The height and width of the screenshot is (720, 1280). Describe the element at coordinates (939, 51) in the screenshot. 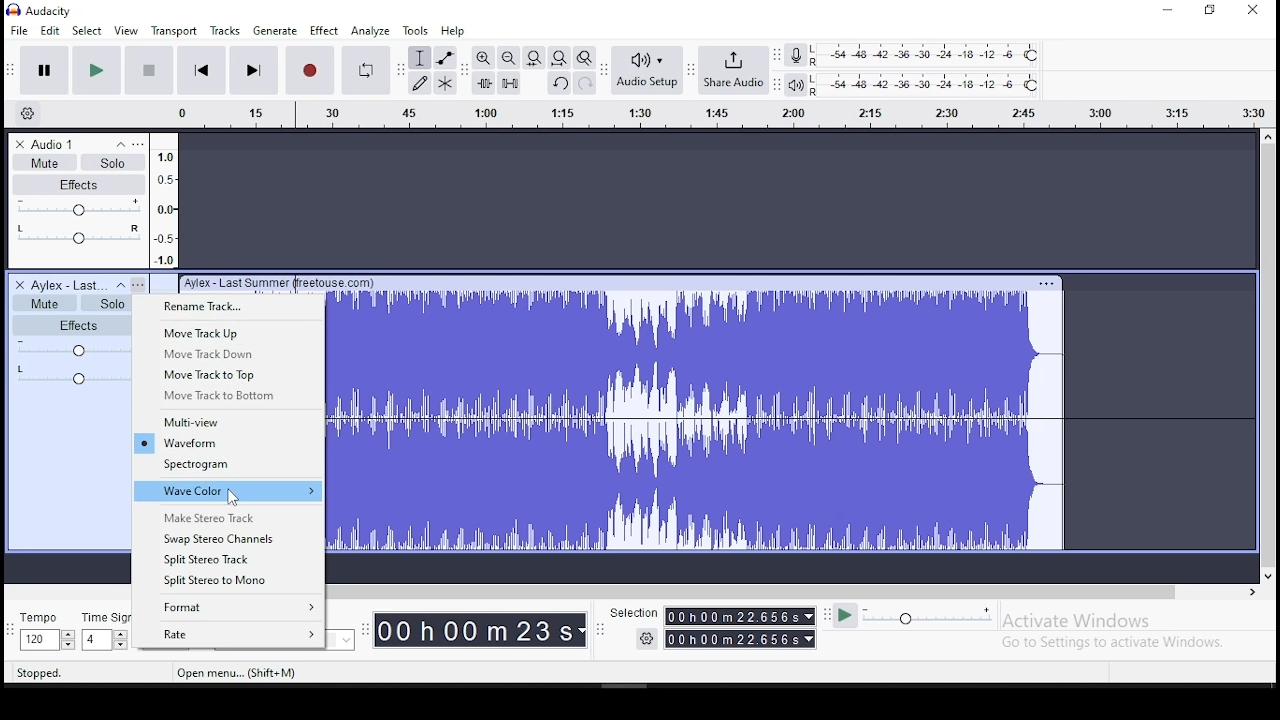

I see `record level` at that location.